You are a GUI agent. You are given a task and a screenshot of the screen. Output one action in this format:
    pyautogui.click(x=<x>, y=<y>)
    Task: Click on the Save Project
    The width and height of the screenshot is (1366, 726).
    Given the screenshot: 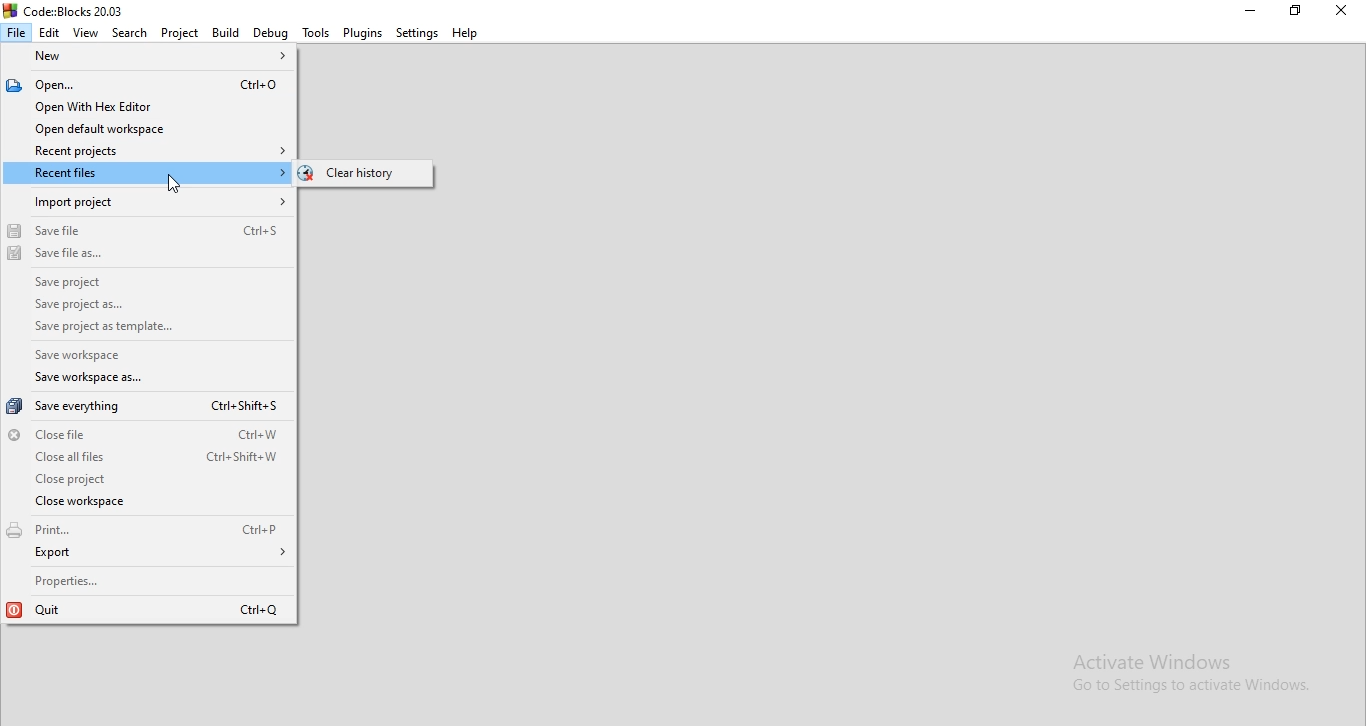 What is the action you would take?
    pyautogui.click(x=152, y=287)
    